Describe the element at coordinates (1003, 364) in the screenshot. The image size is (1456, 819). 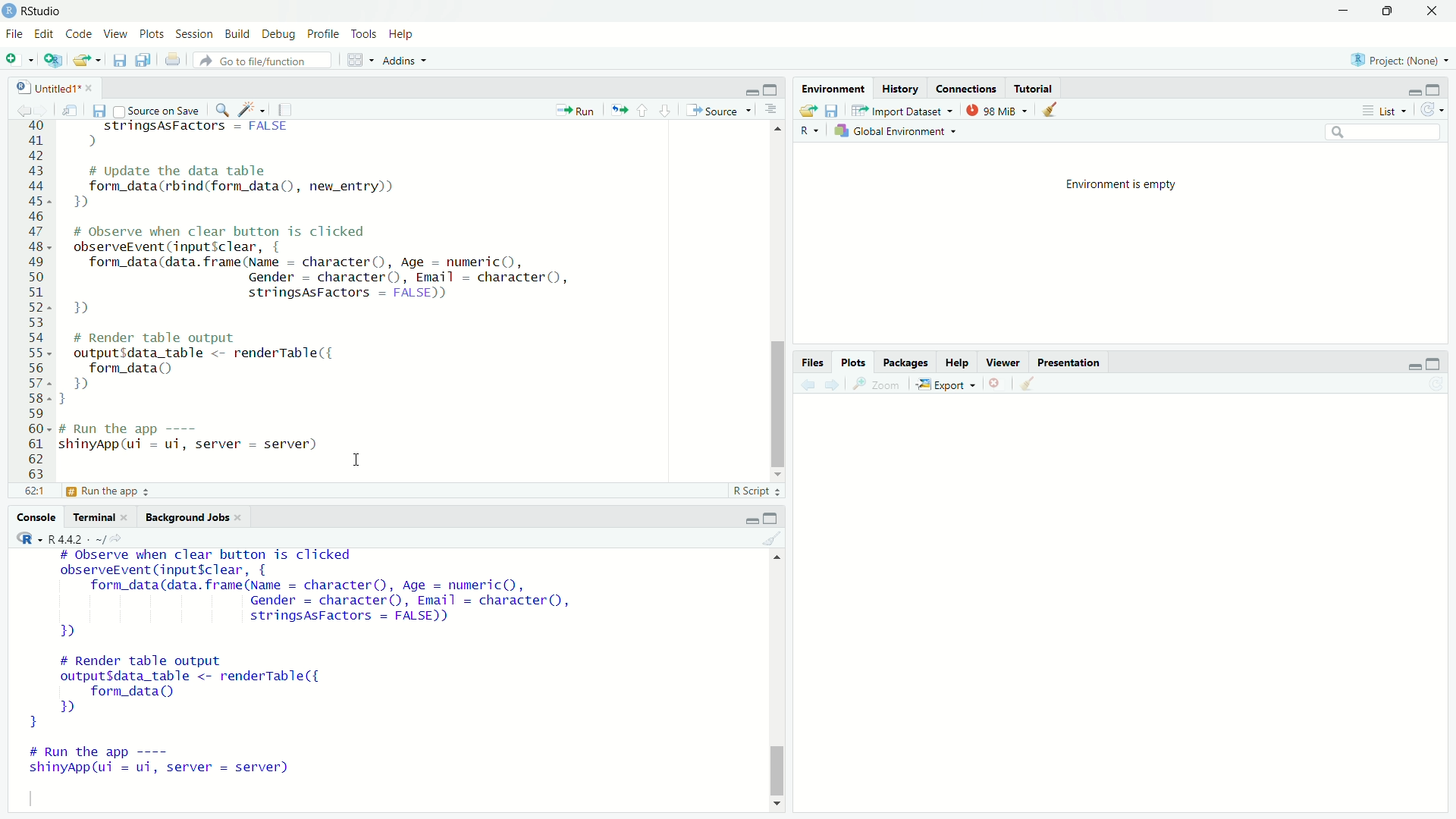
I see `viewer` at that location.